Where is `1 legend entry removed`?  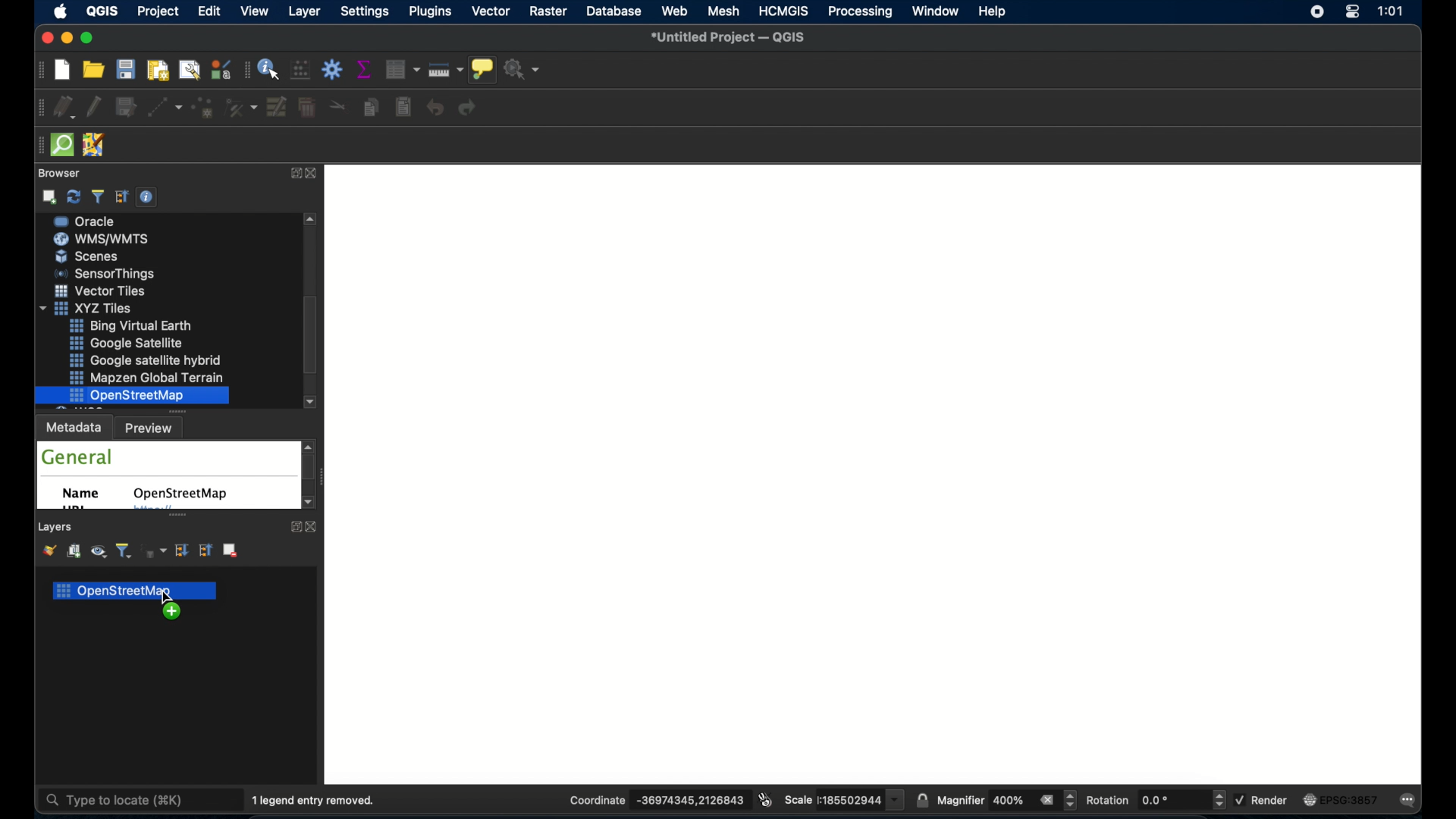
1 legend entry removed is located at coordinates (314, 801).